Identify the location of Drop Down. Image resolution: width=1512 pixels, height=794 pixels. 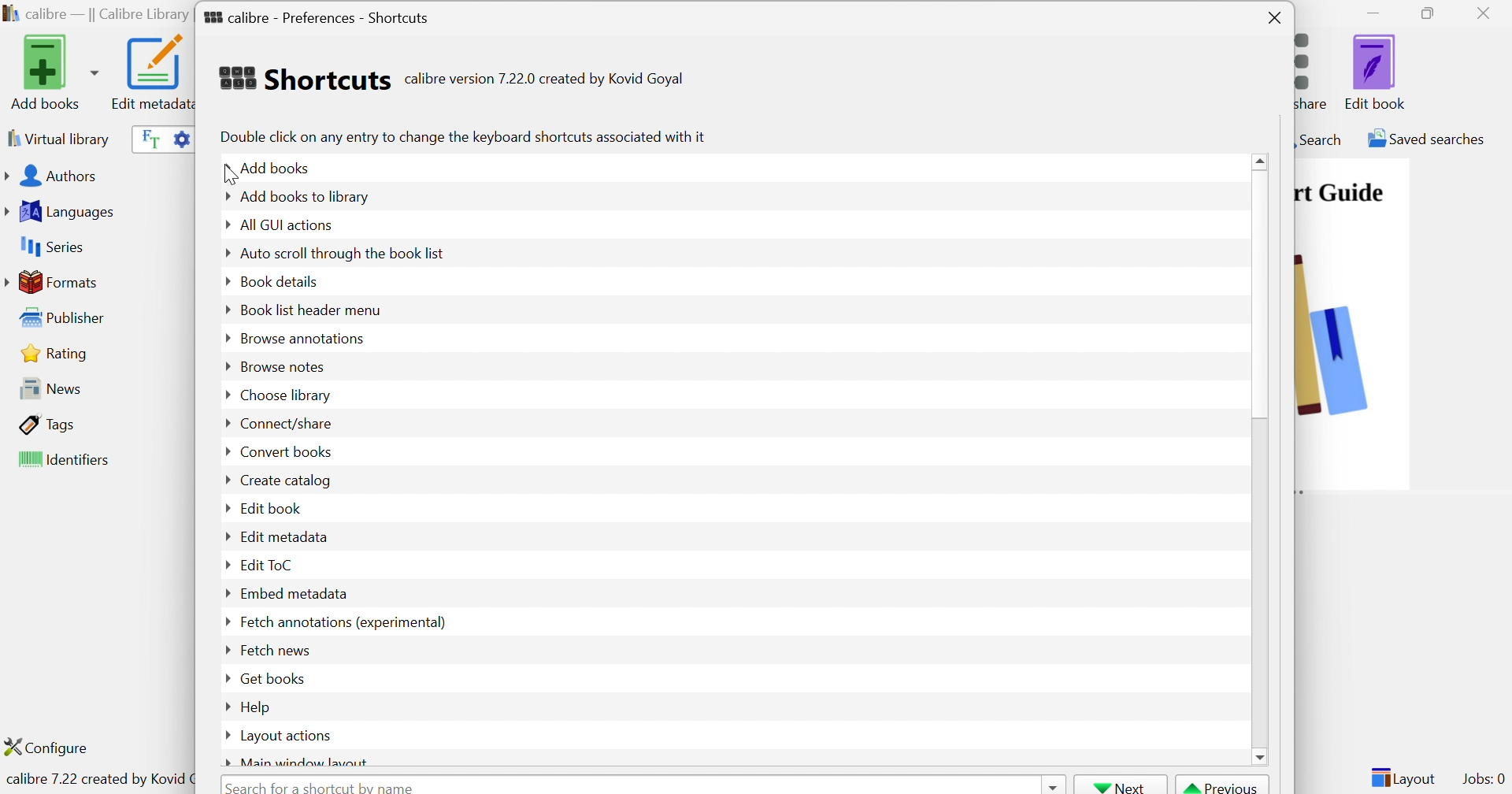
(224, 535).